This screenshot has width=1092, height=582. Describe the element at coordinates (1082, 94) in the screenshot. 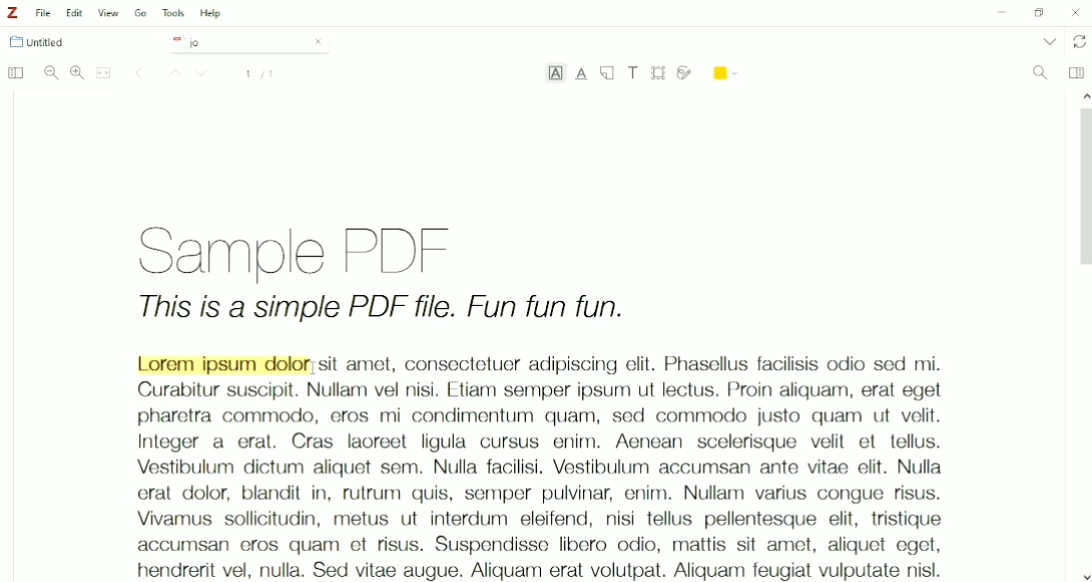

I see `up` at that location.